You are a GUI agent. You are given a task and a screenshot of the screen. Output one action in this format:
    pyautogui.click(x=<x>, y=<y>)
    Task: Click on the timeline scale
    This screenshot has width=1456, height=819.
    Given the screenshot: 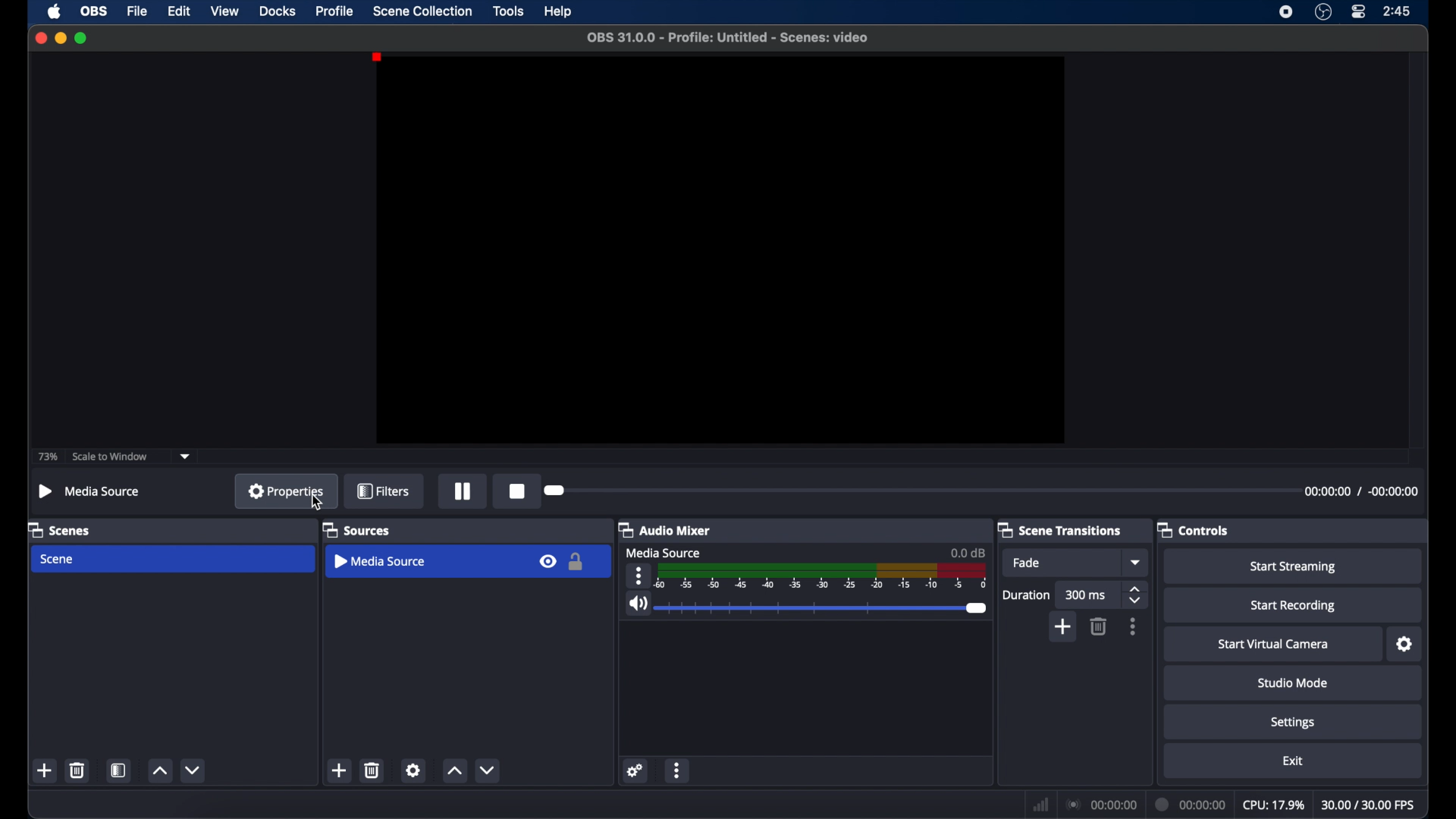 What is the action you would take?
    pyautogui.click(x=823, y=577)
    